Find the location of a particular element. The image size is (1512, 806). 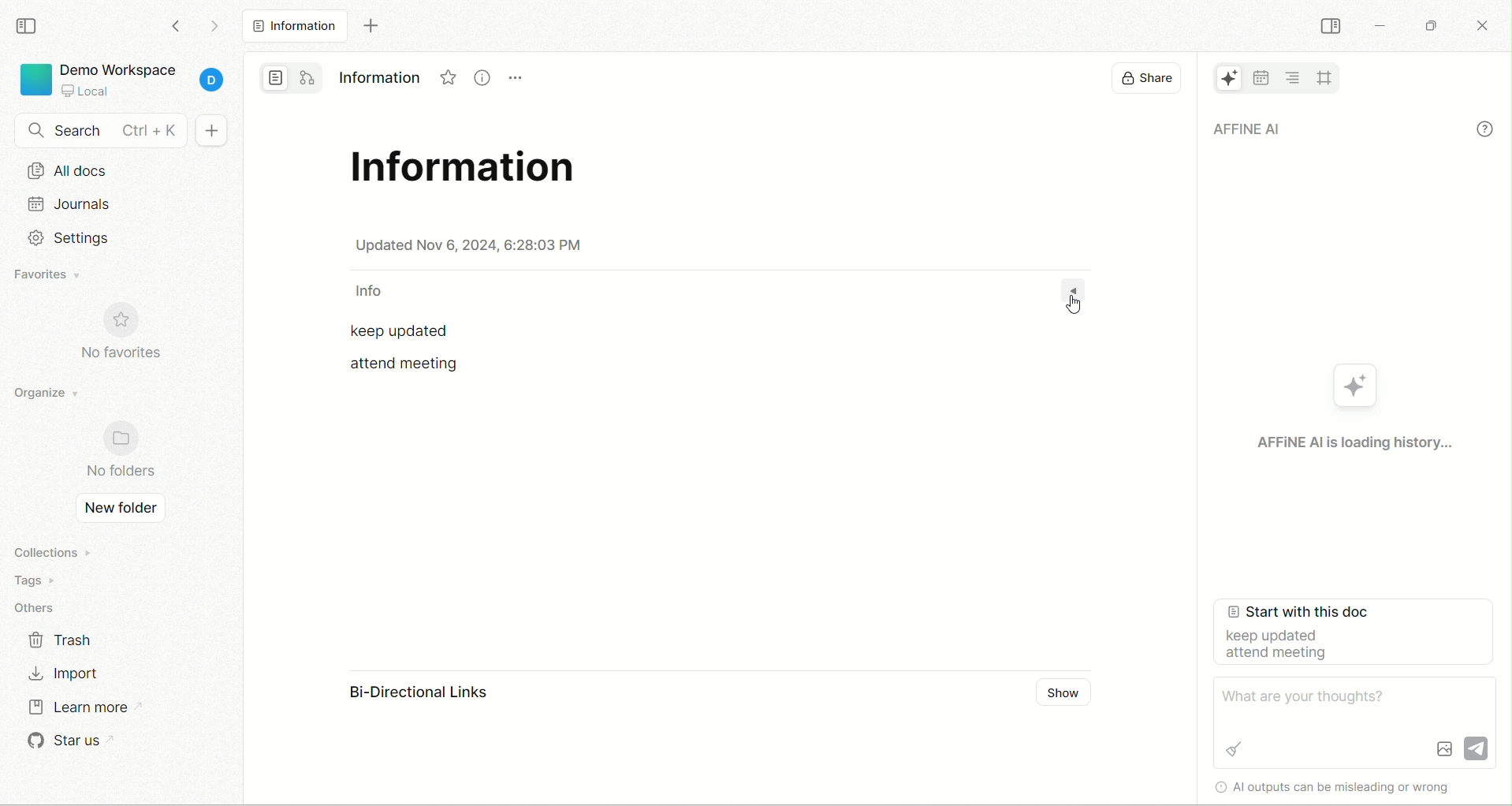

collapse sidebar is located at coordinates (1330, 25).